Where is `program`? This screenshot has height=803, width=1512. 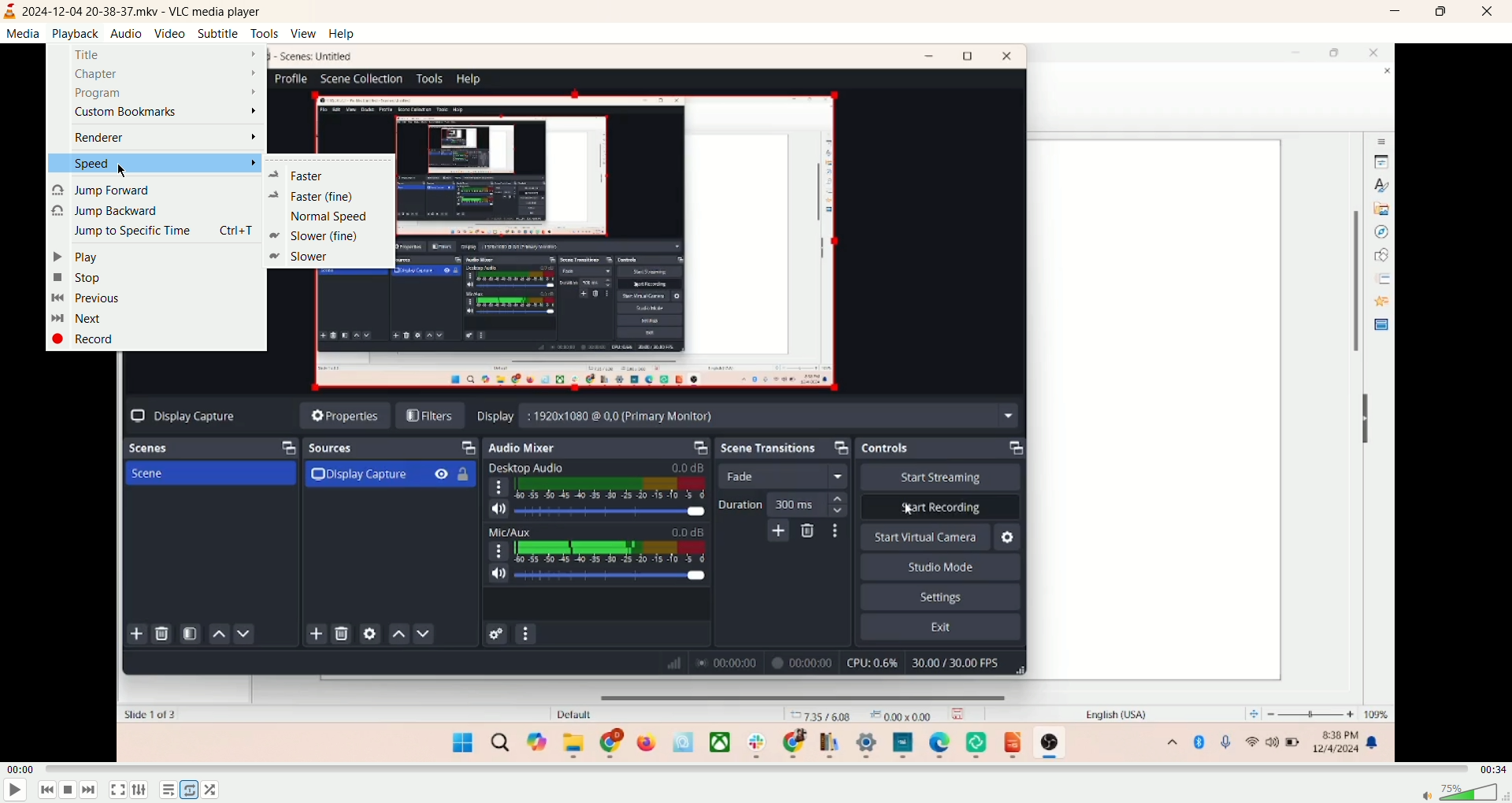 program is located at coordinates (166, 94).